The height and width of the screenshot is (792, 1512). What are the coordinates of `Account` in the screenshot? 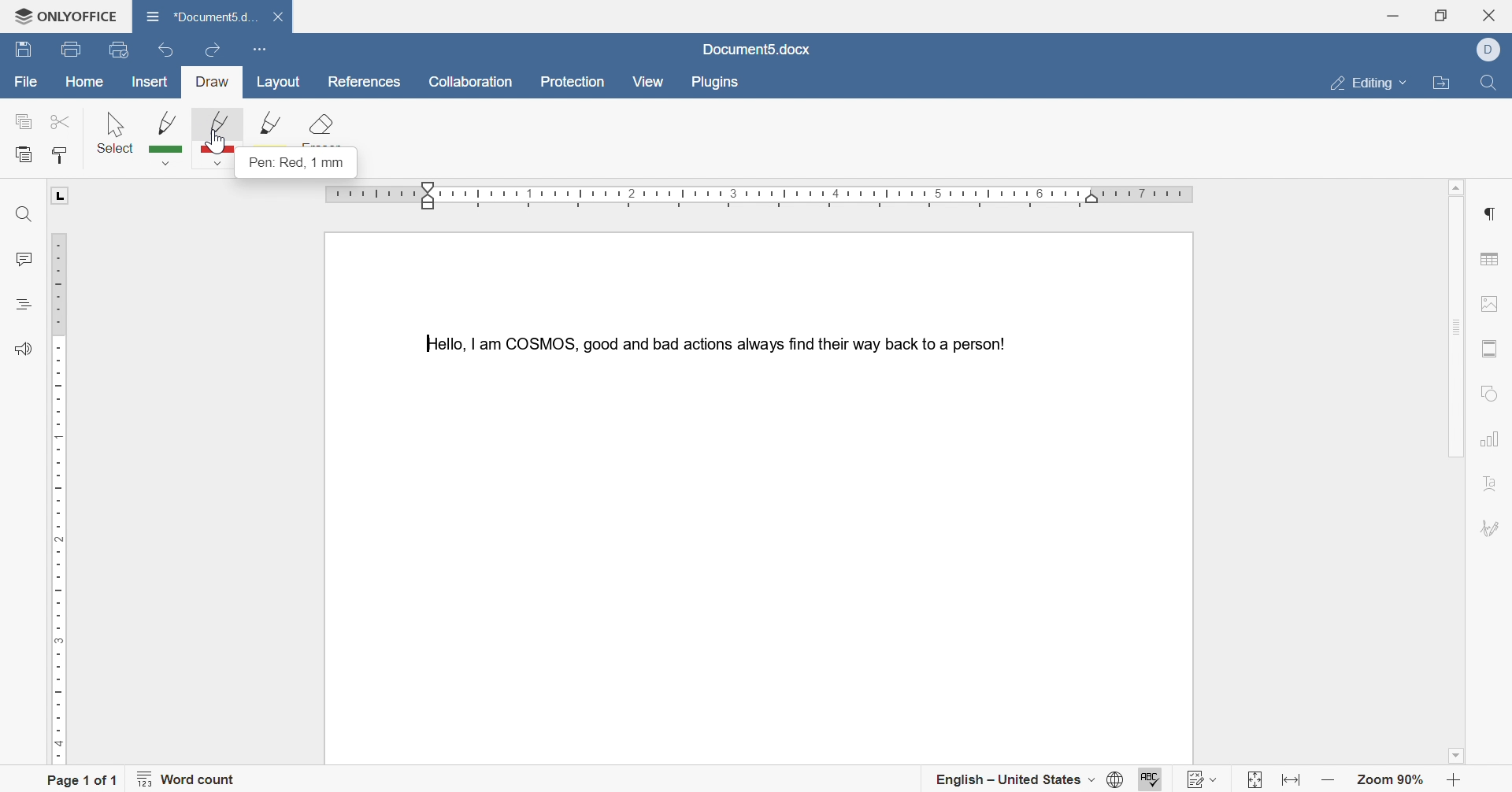 It's located at (1493, 50).